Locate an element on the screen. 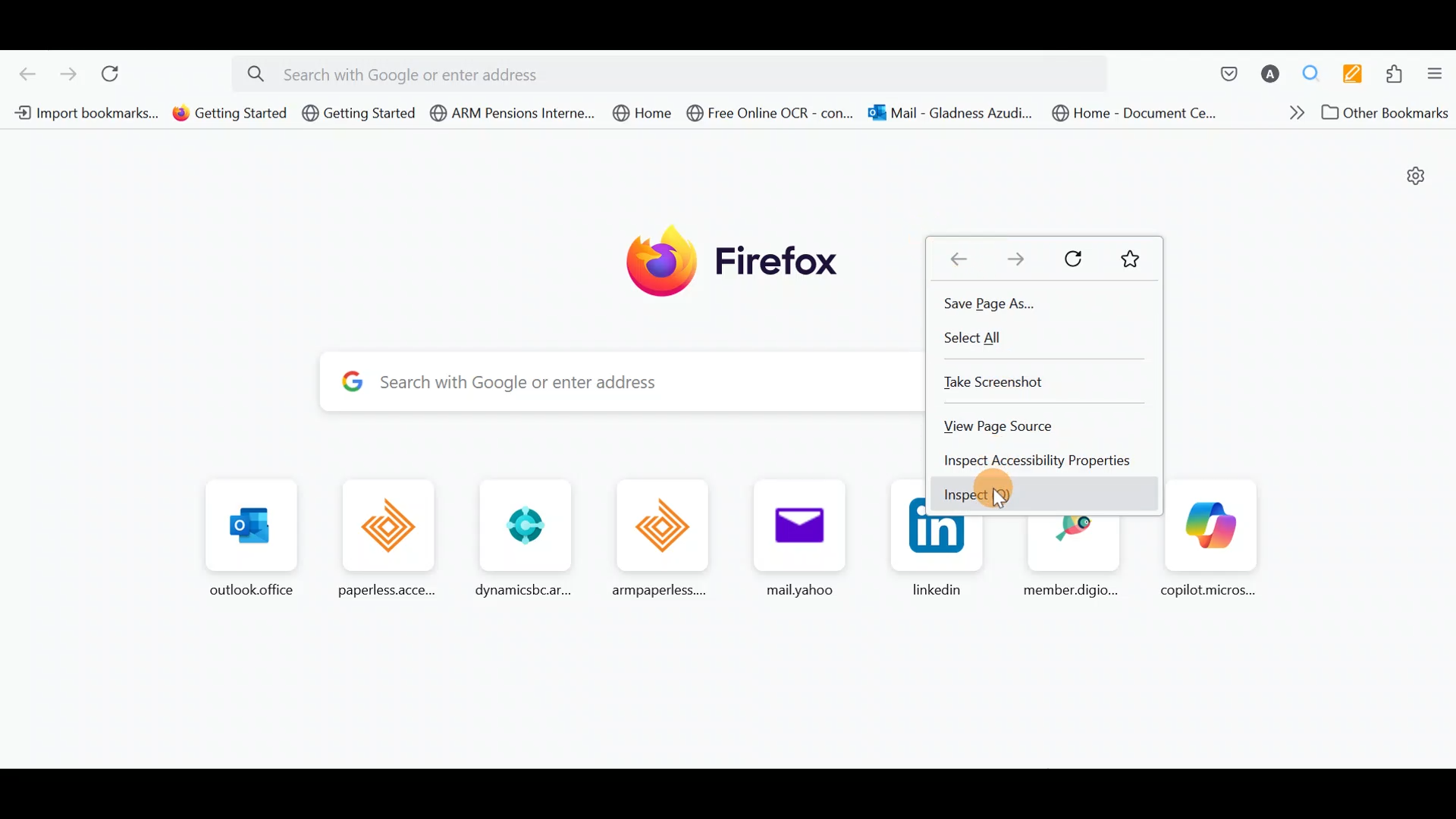 This screenshot has width=1456, height=819. Reload current page is located at coordinates (1070, 259).